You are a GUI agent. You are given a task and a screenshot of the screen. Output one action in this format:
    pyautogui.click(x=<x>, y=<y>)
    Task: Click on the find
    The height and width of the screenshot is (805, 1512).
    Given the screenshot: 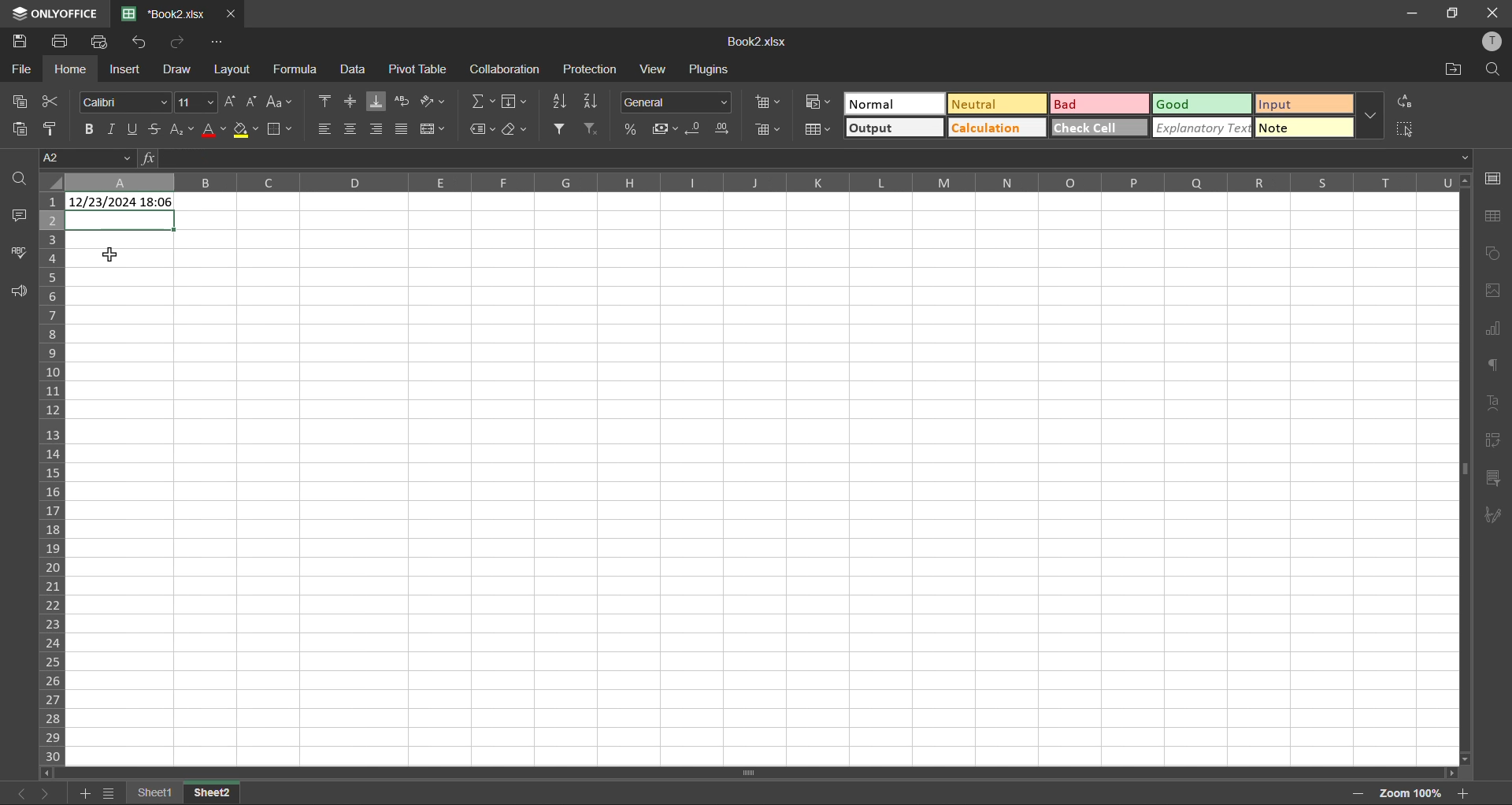 What is the action you would take?
    pyautogui.click(x=1492, y=71)
    